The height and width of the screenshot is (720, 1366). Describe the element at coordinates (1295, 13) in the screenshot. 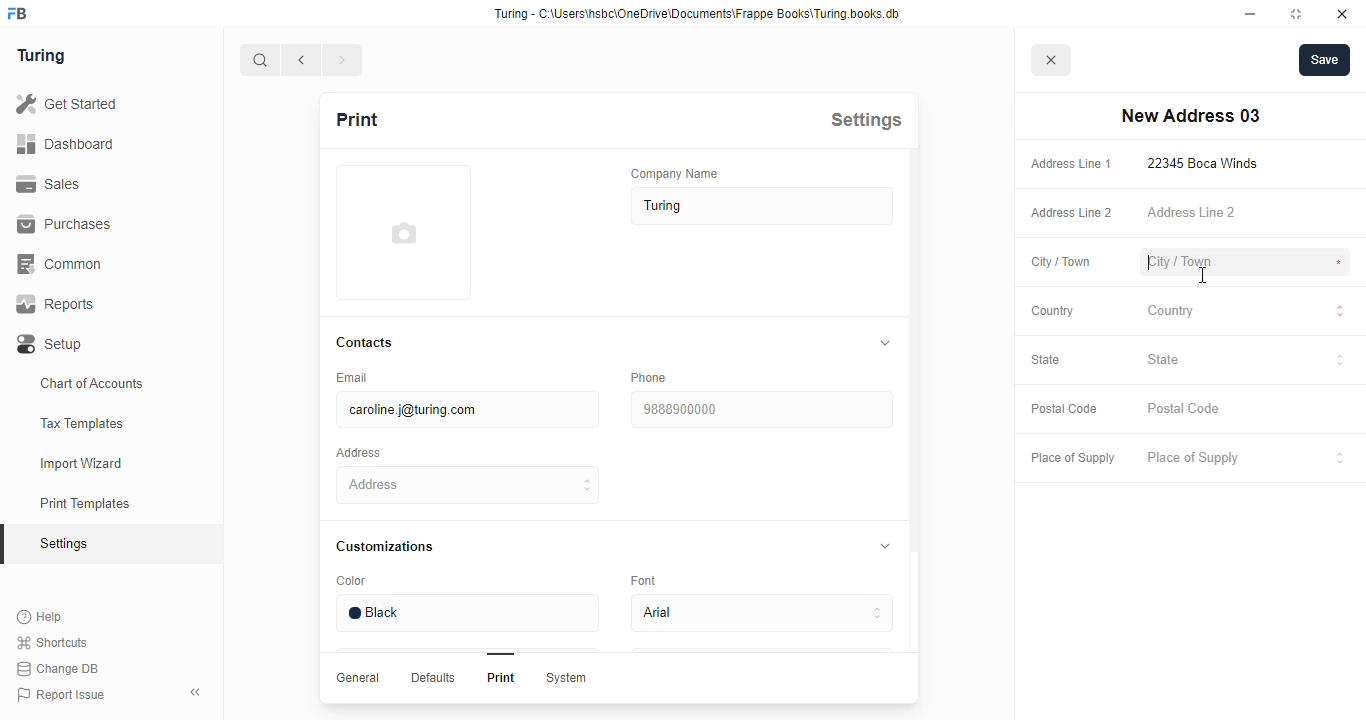

I see `toggle maximize` at that location.